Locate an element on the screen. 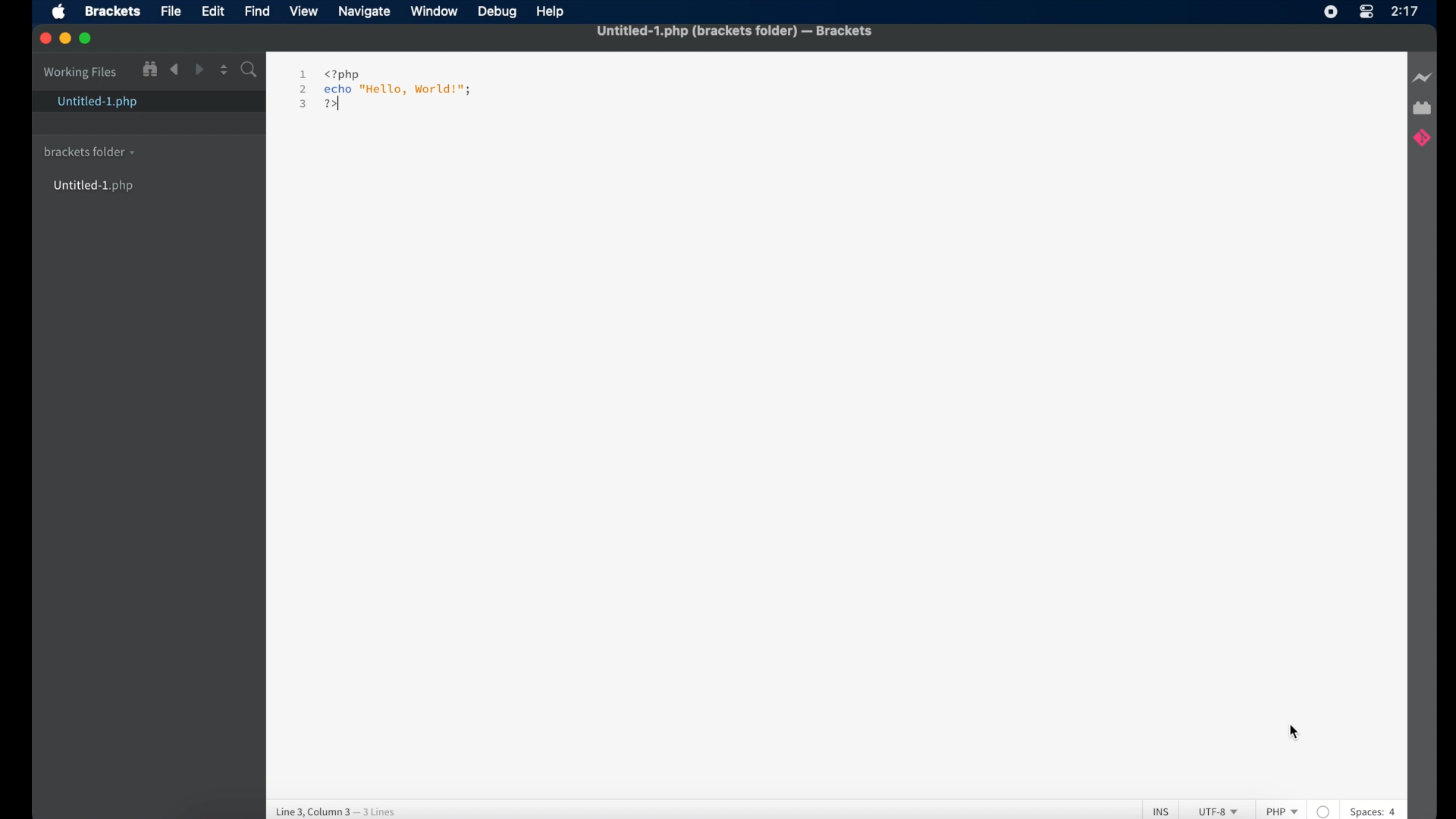 Image resolution: width=1456 pixels, height=819 pixels. screen recorder is located at coordinates (1330, 12).